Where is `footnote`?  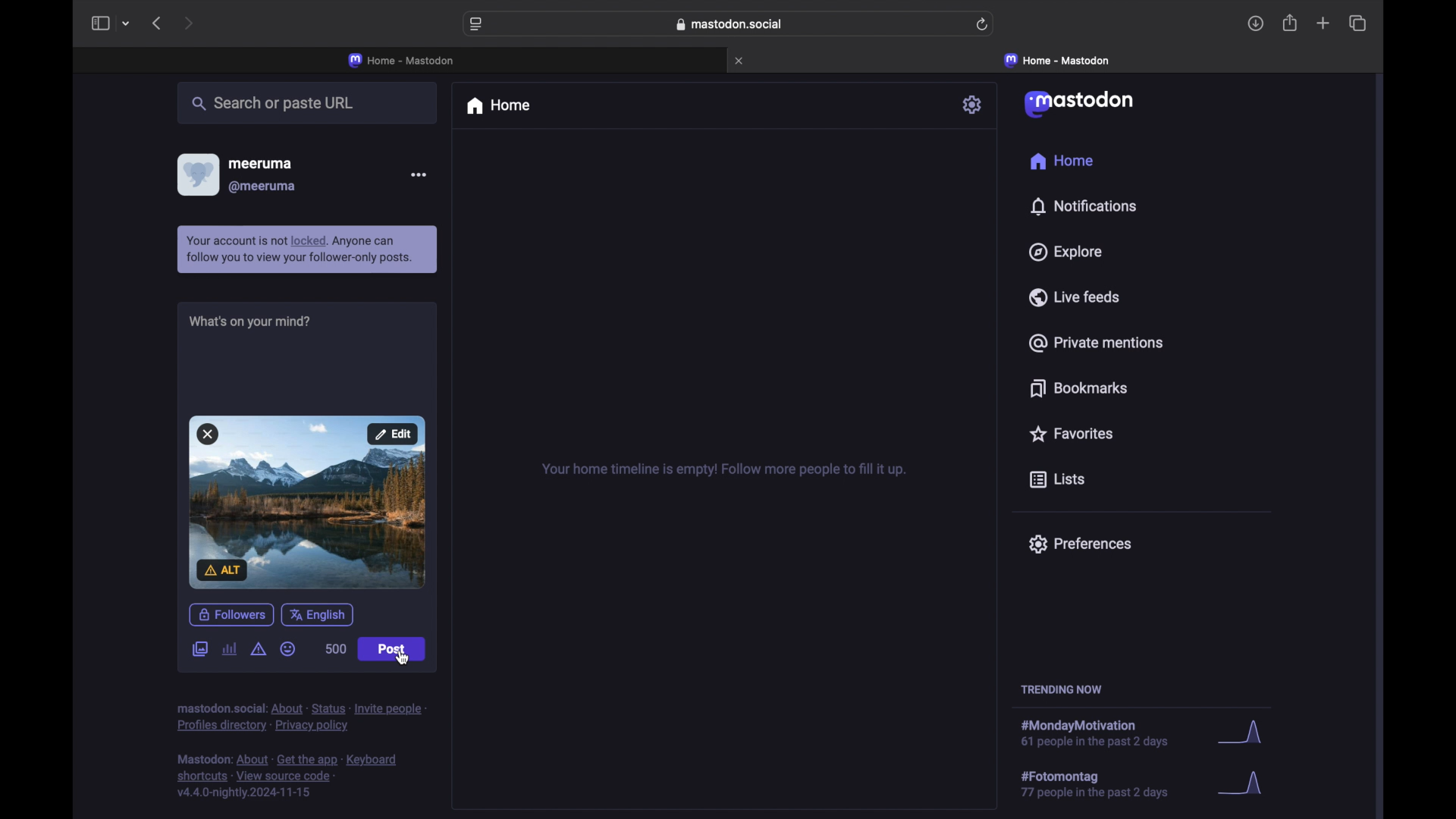
footnote is located at coordinates (287, 777).